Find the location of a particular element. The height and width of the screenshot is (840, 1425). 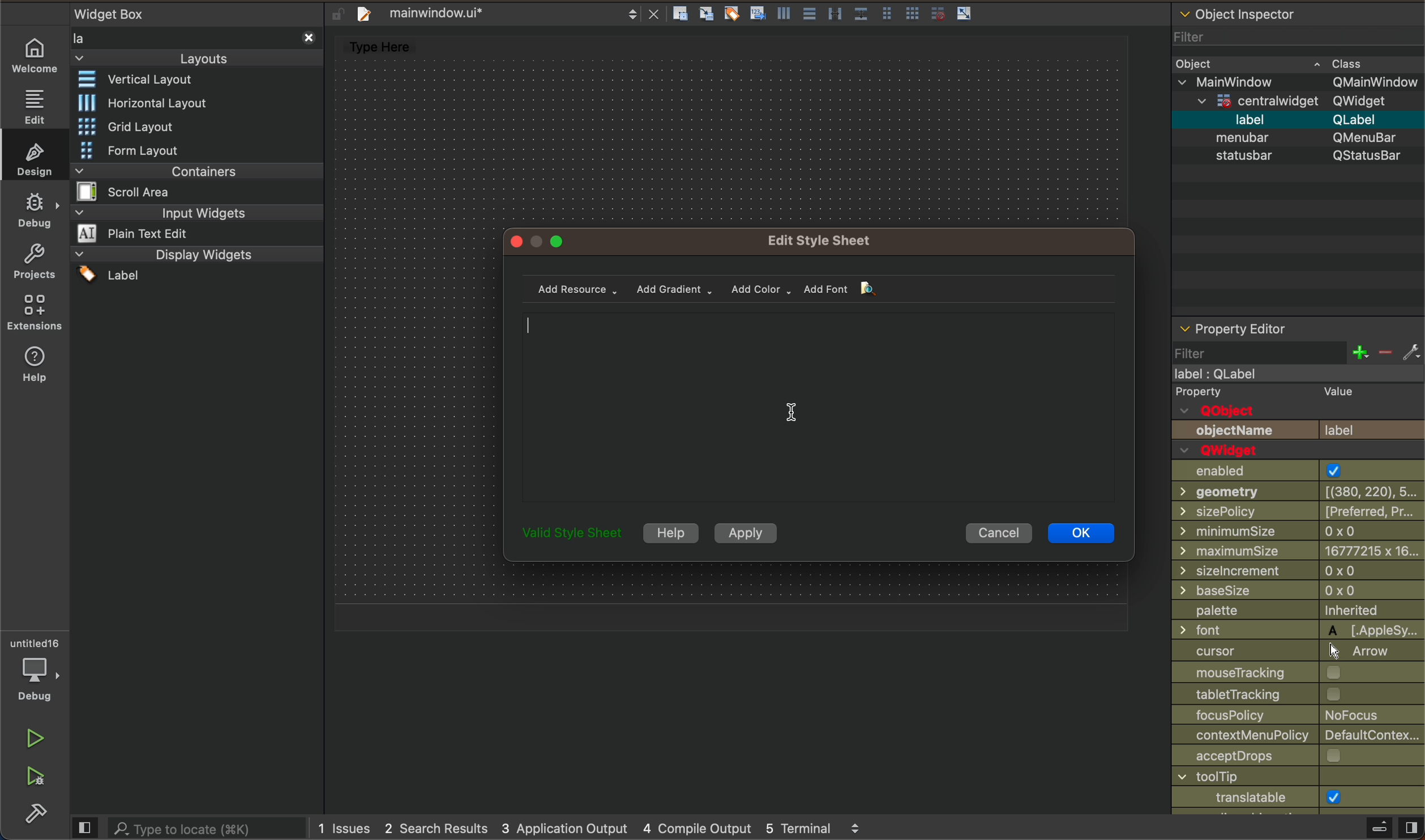

issues is located at coordinates (348, 828).